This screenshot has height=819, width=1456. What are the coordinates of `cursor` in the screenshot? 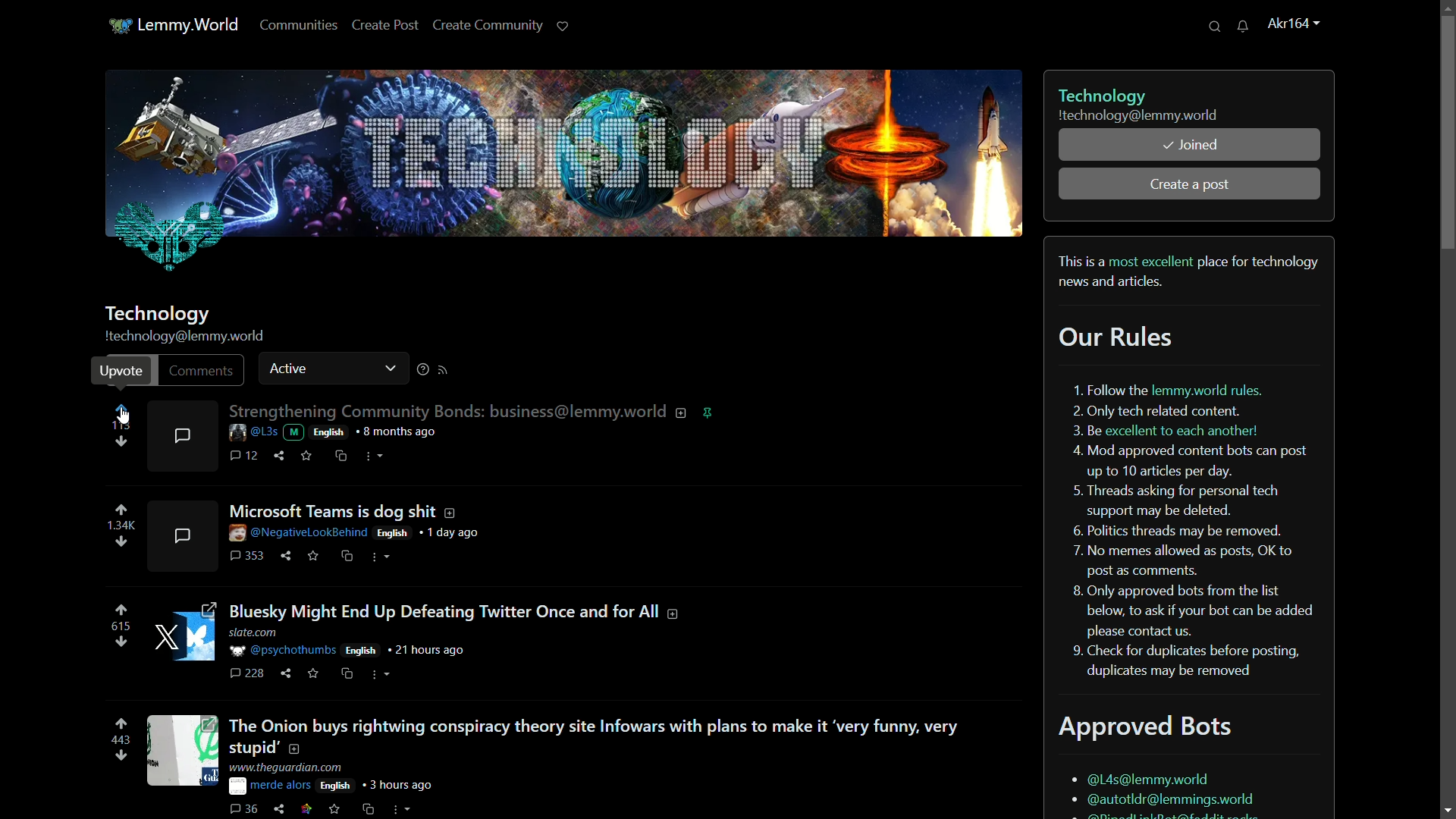 It's located at (126, 416).